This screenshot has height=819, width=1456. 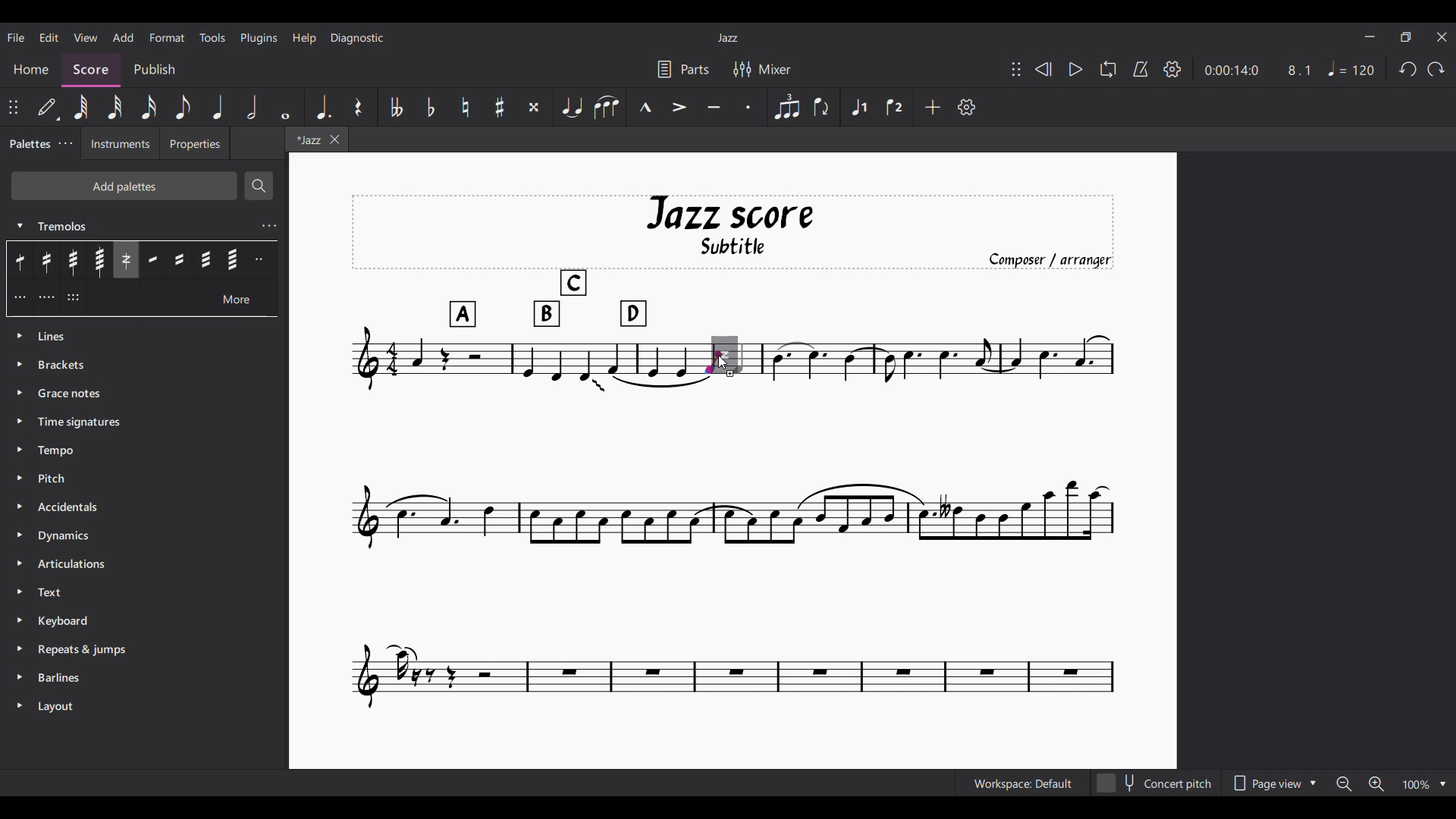 What do you see at coordinates (262, 259) in the screenshot?
I see `Divide measured Tremolo by 2` at bounding box center [262, 259].